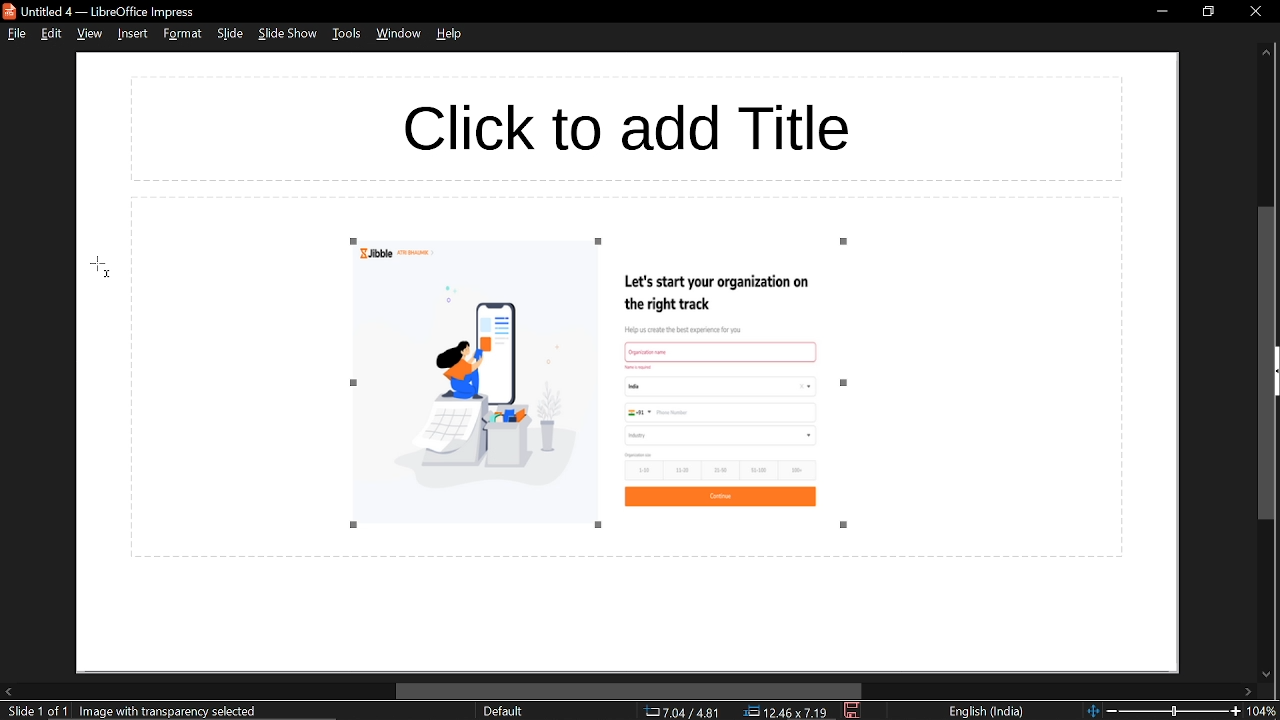 The height and width of the screenshot is (720, 1280). What do you see at coordinates (33, 712) in the screenshot?
I see `current slide` at bounding box center [33, 712].